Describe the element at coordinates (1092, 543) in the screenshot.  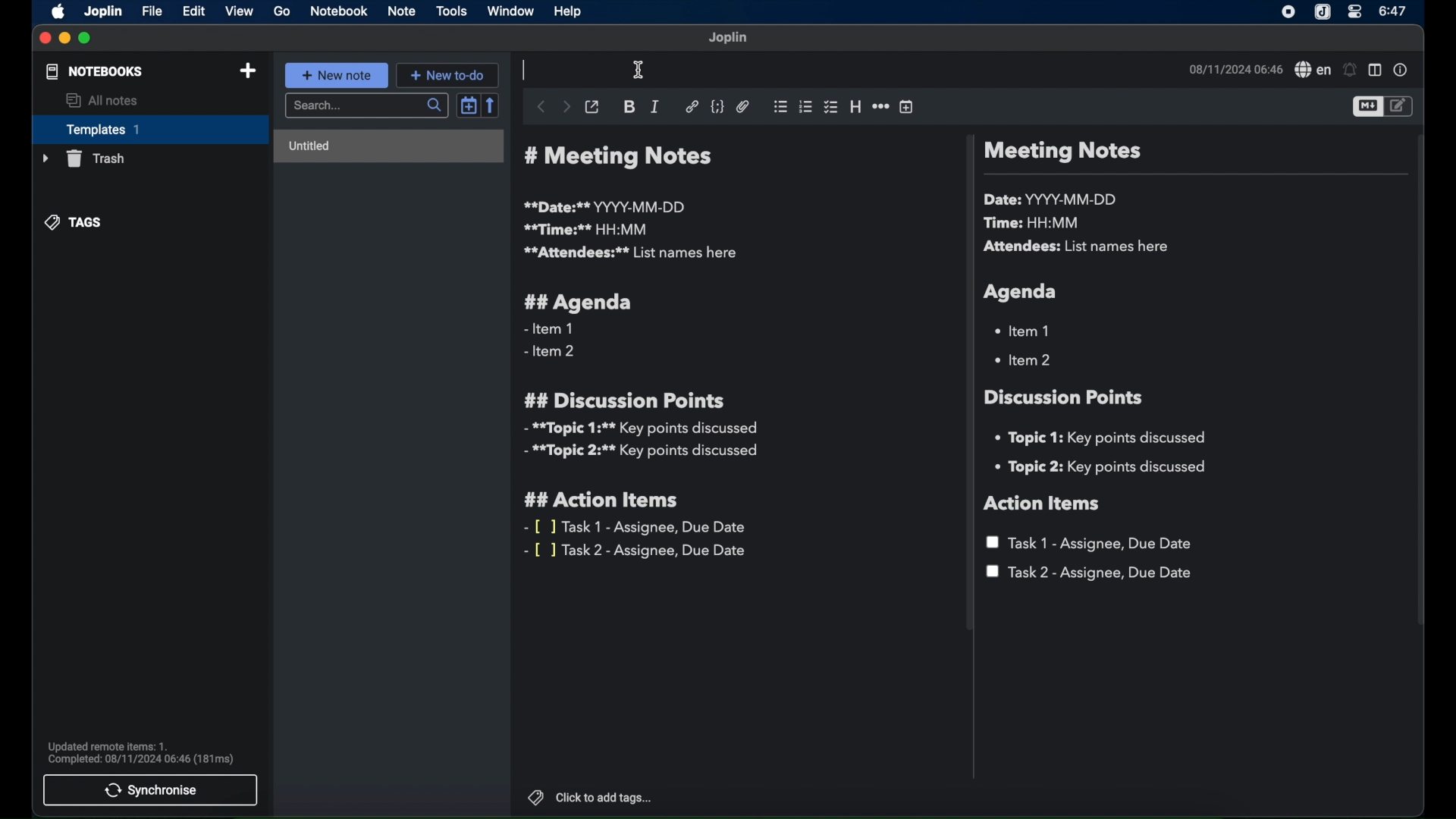
I see `task 1 assignee, due date` at that location.